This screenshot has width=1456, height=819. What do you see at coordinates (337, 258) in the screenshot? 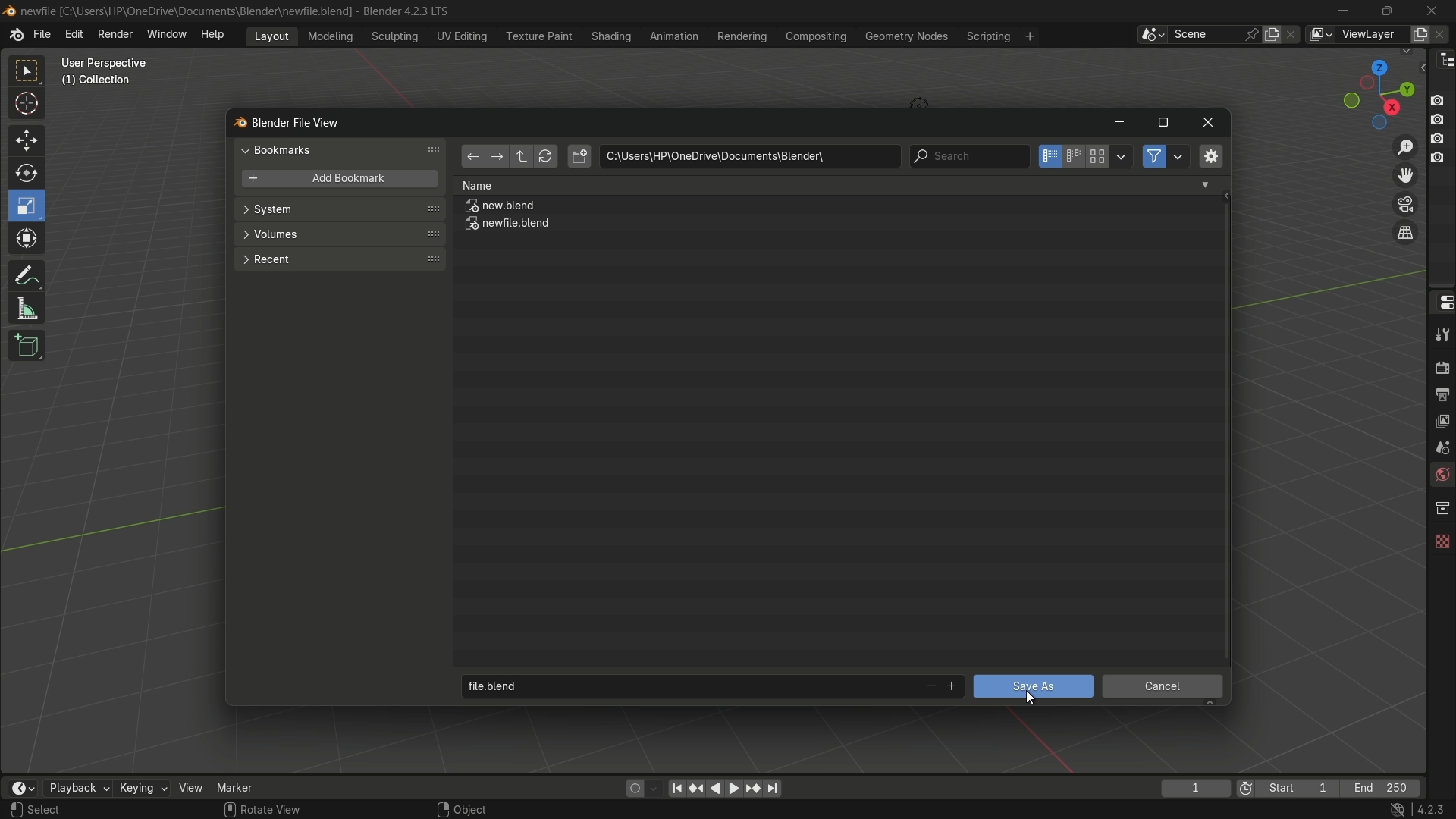
I see `recent` at bounding box center [337, 258].